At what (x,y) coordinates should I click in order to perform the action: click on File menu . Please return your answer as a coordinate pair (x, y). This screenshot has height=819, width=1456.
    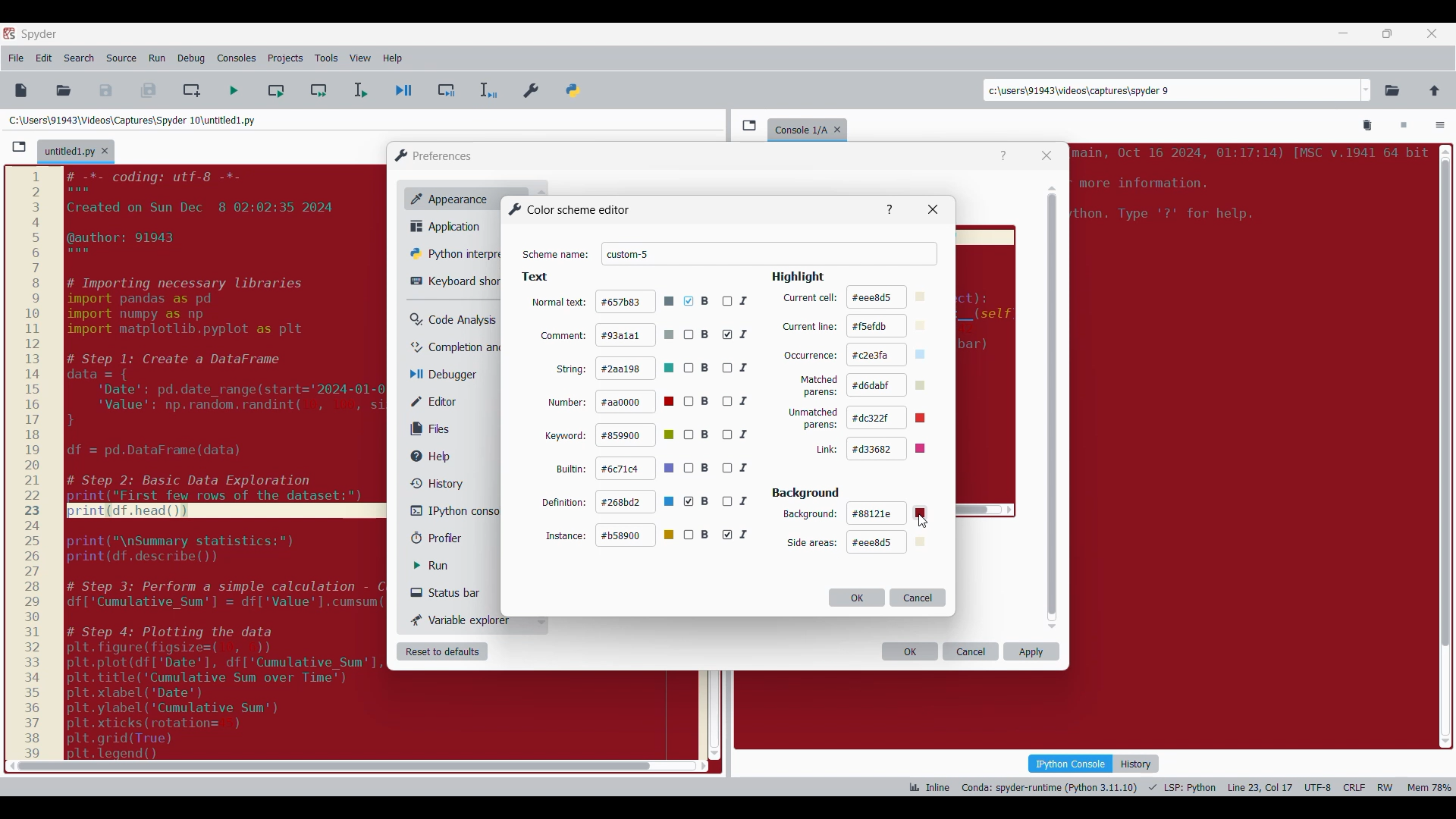
    Looking at the image, I should click on (16, 58).